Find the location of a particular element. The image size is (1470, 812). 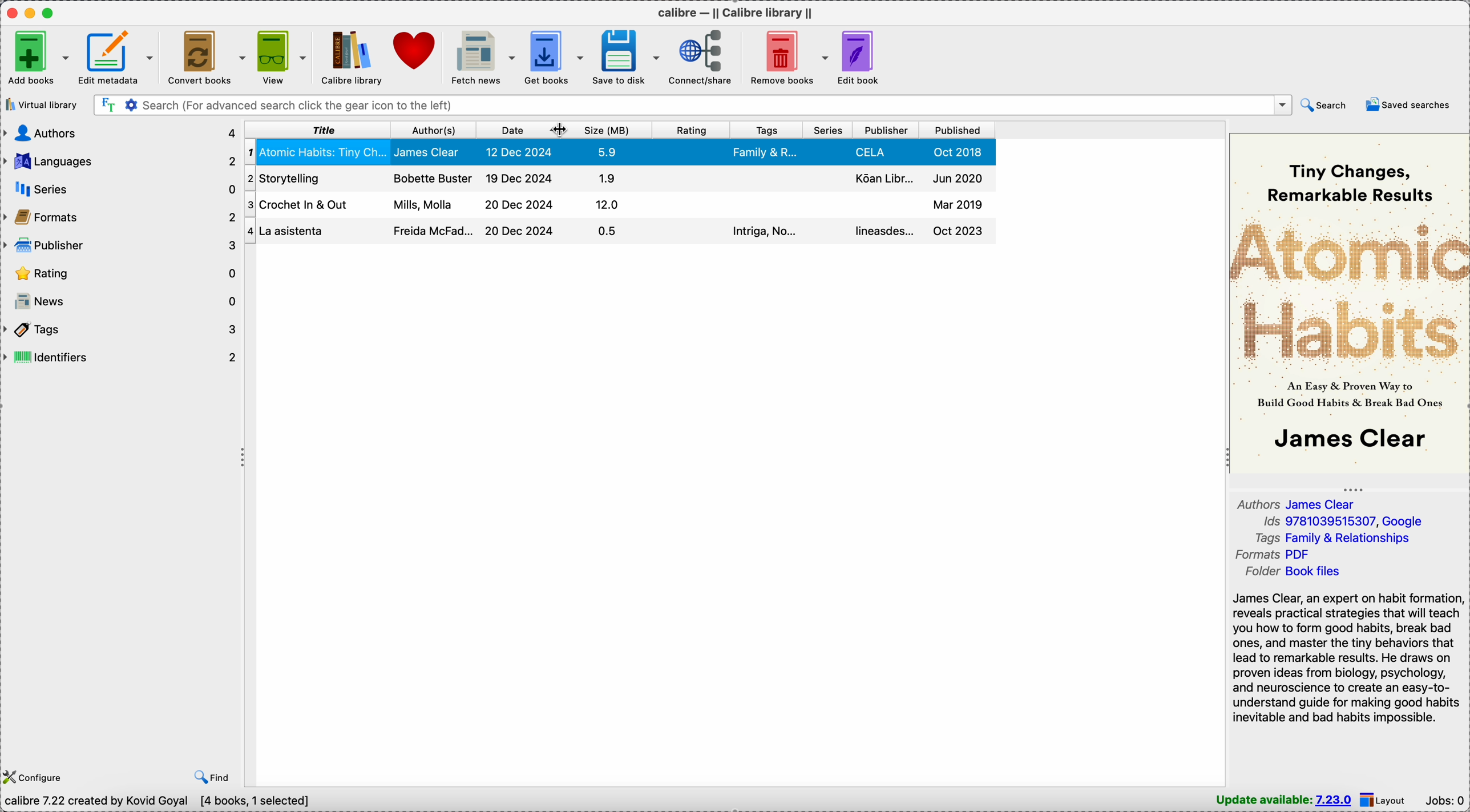

authors is located at coordinates (120, 134).